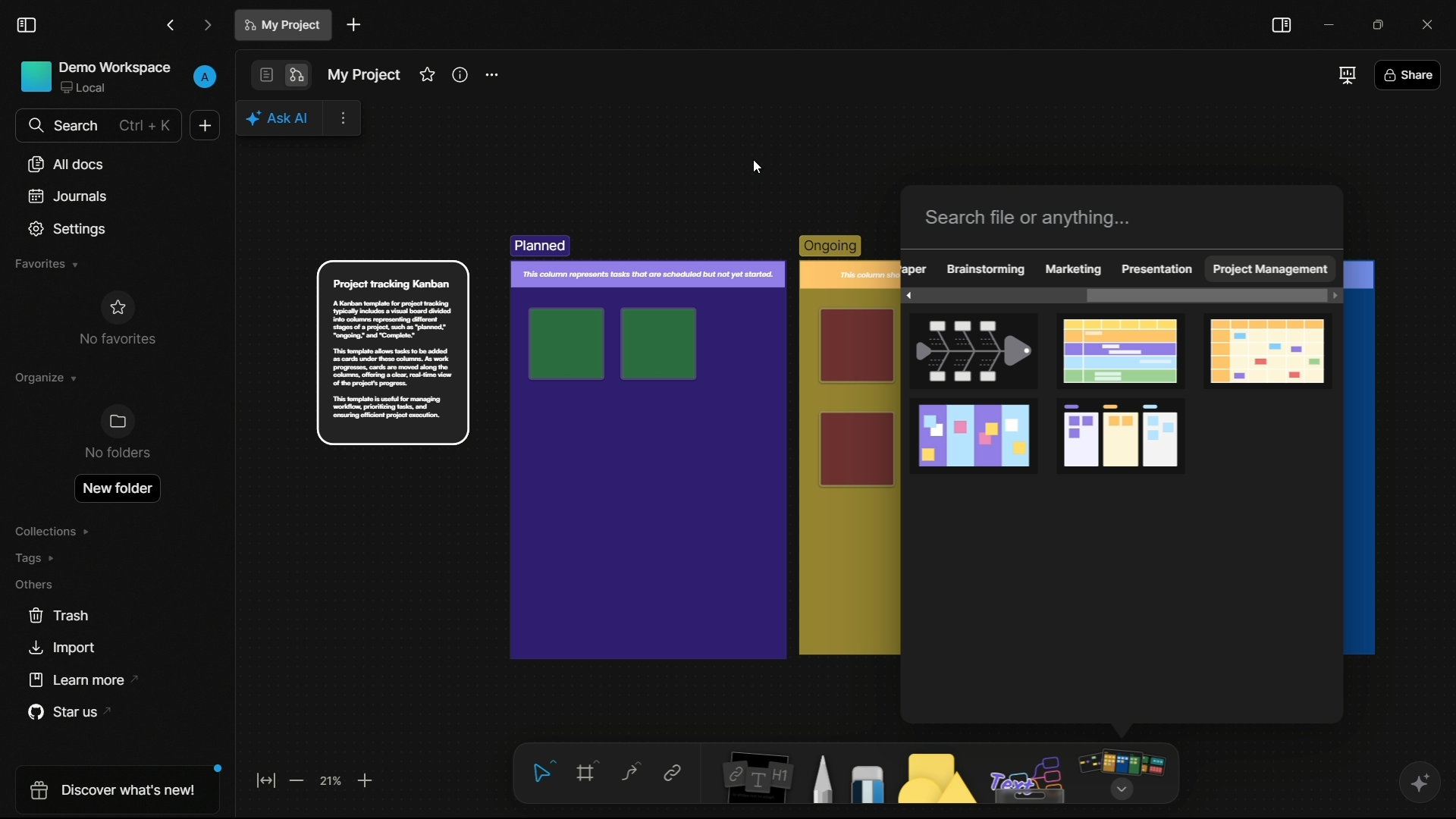 The width and height of the screenshot is (1456, 819). I want to click on more tools, so click(1121, 774).